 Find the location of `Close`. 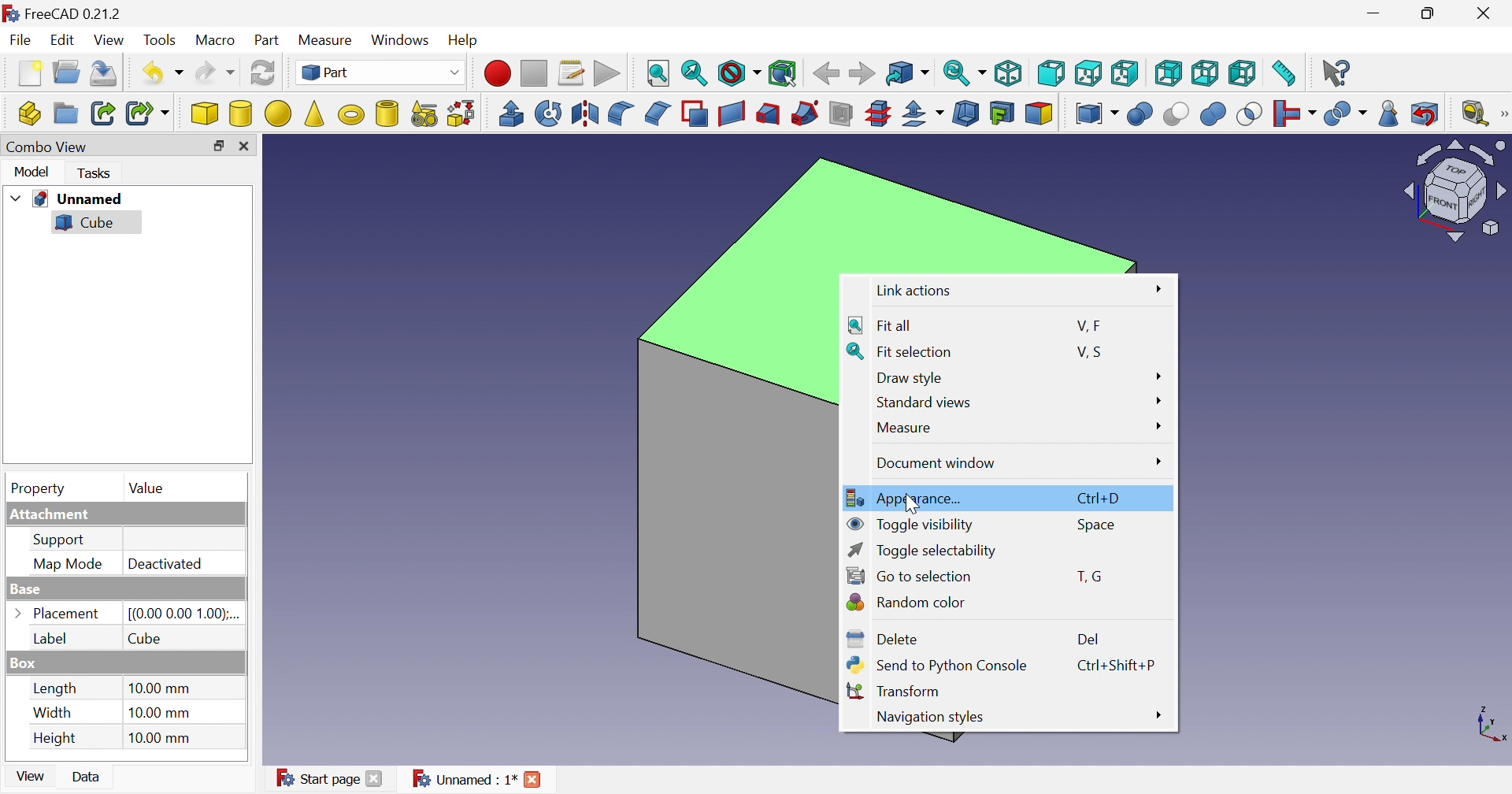

Close is located at coordinates (373, 781).